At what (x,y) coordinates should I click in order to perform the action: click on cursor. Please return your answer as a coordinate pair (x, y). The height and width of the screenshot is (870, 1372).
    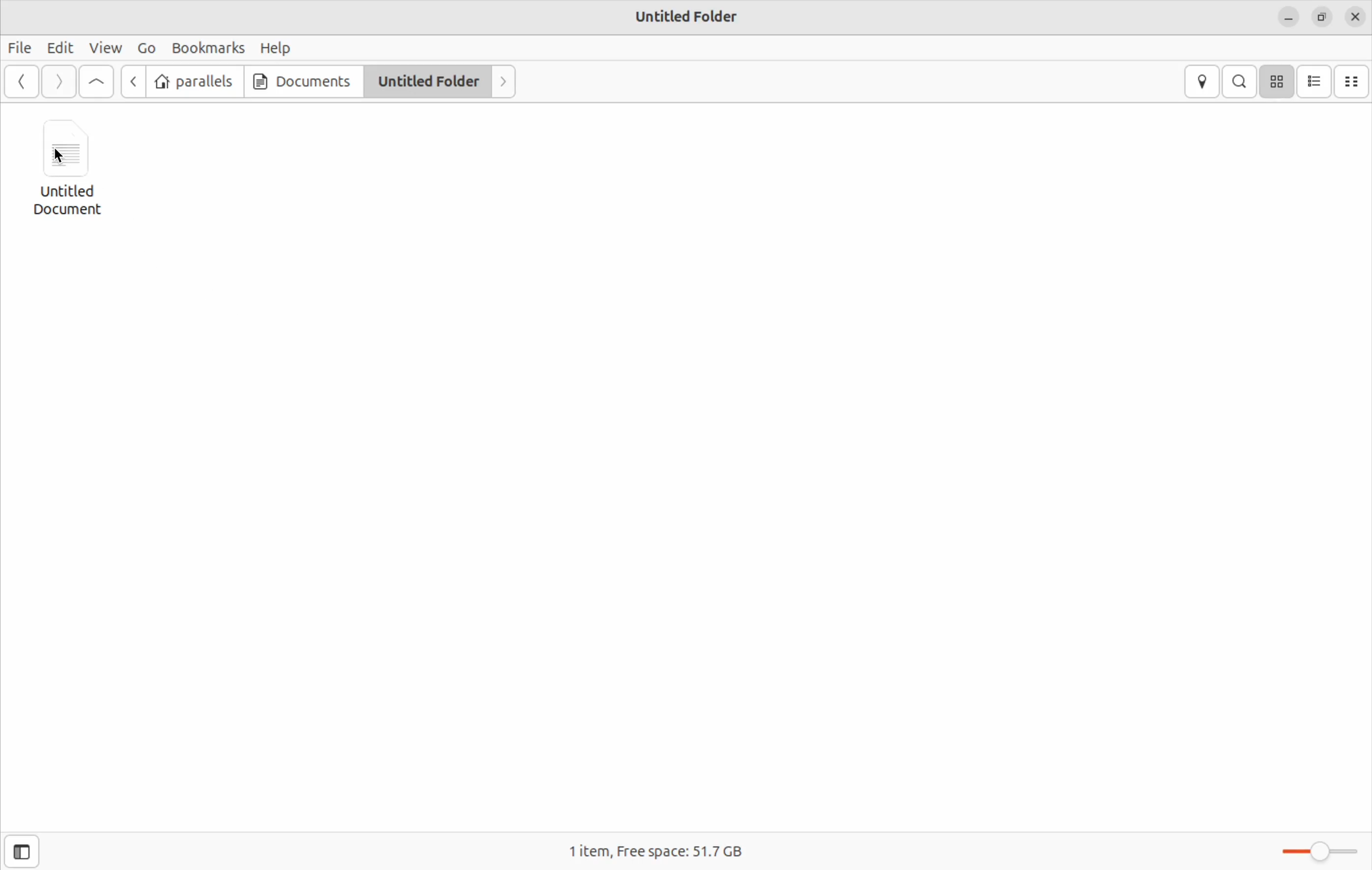
    Looking at the image, I should click on (64, 152).